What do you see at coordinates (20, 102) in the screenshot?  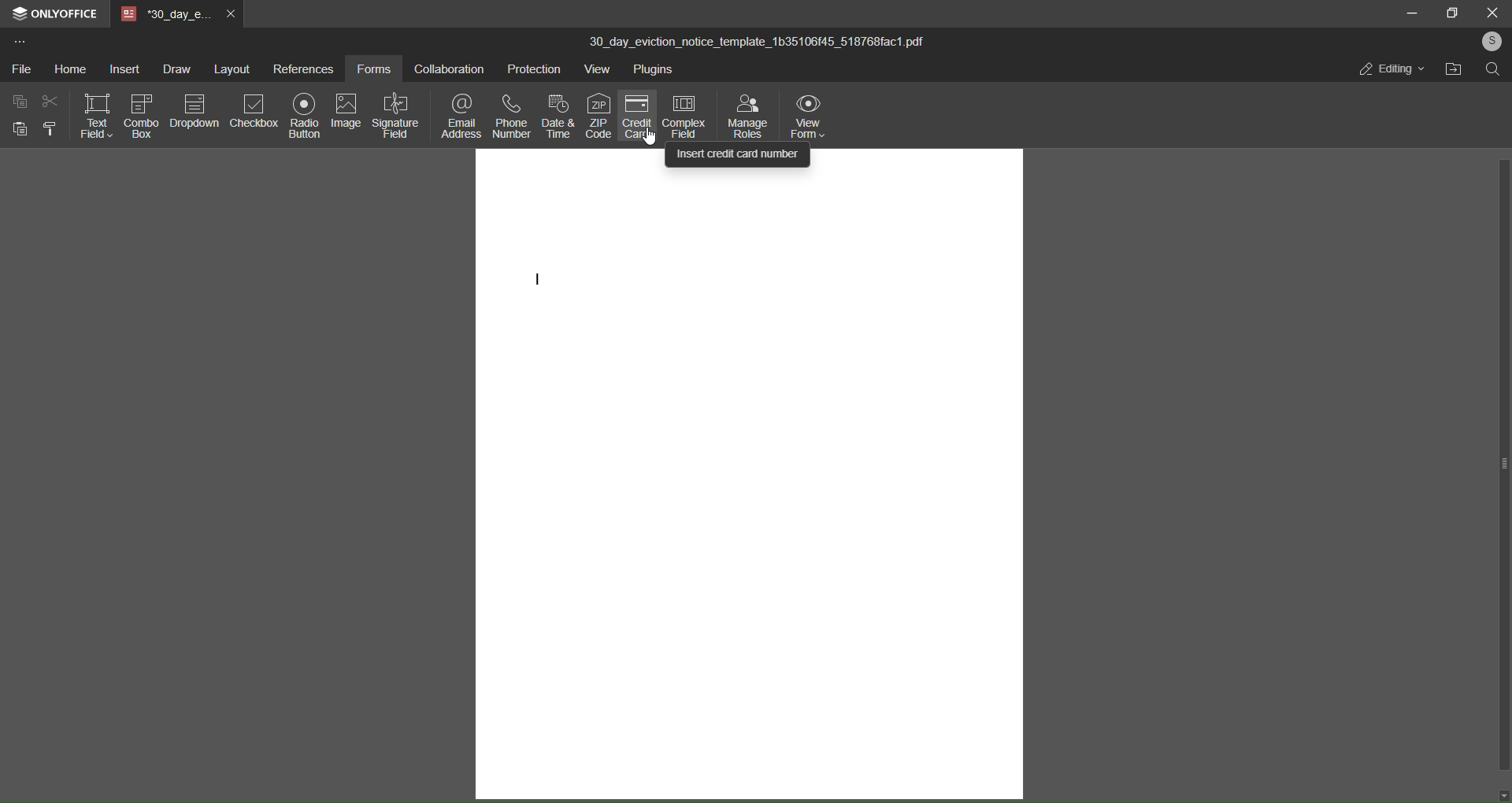 I see `copy` at bounding box center [20, 102].